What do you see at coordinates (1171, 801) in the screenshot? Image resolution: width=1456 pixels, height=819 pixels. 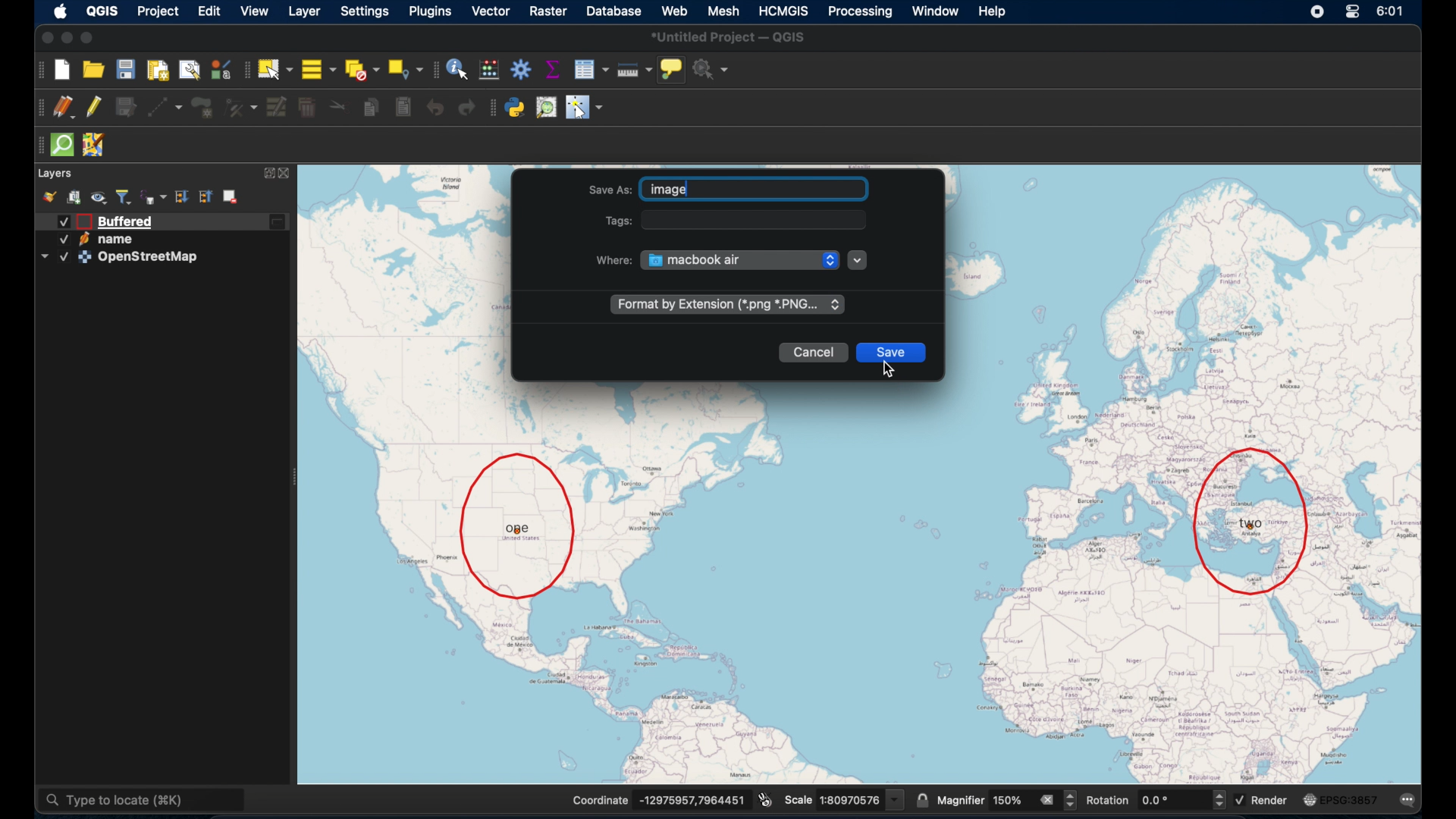 I see `rotation input value` at bounding box center [1171, 801].